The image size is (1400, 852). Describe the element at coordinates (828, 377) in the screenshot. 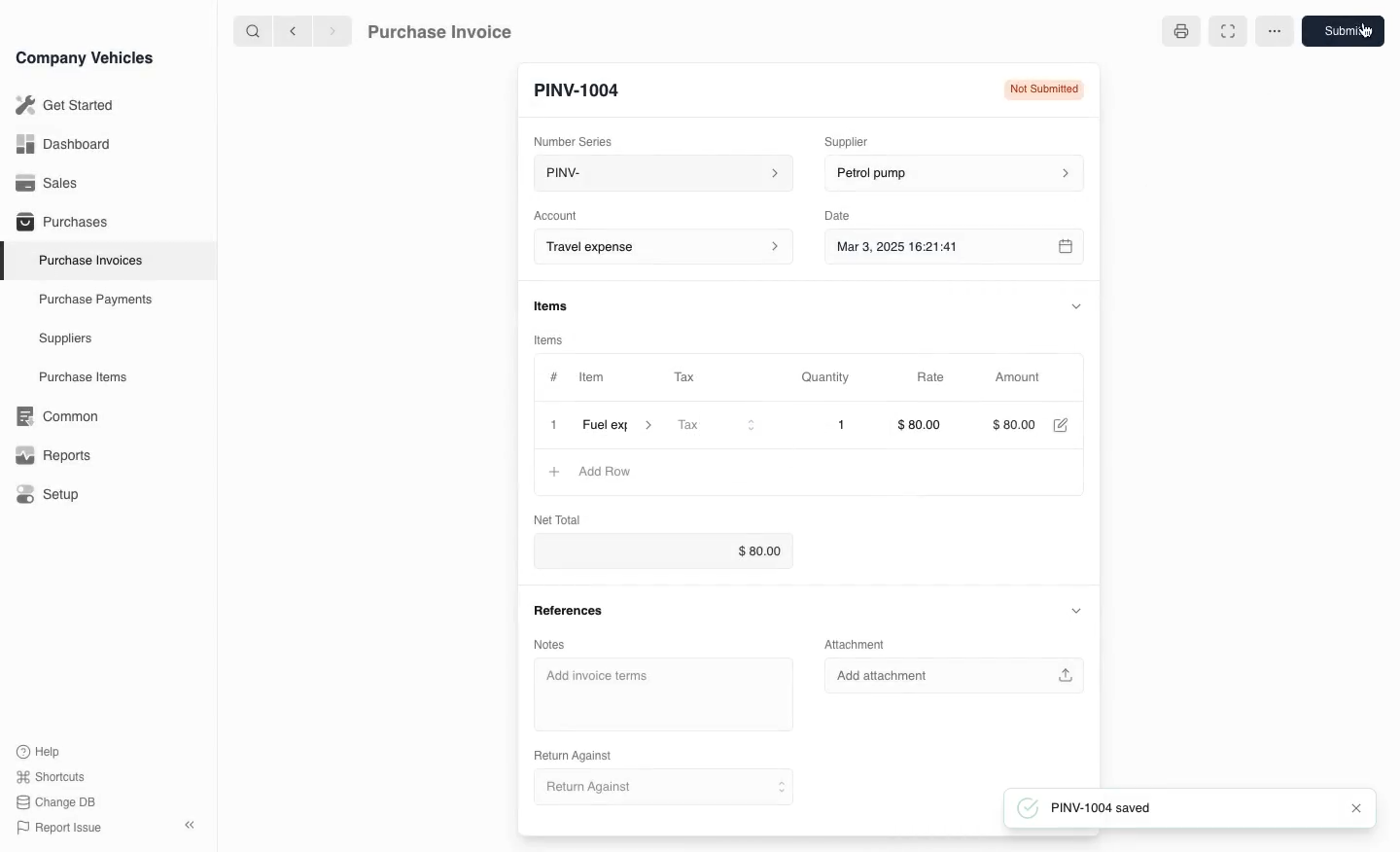

I see `Quantity` at that location.